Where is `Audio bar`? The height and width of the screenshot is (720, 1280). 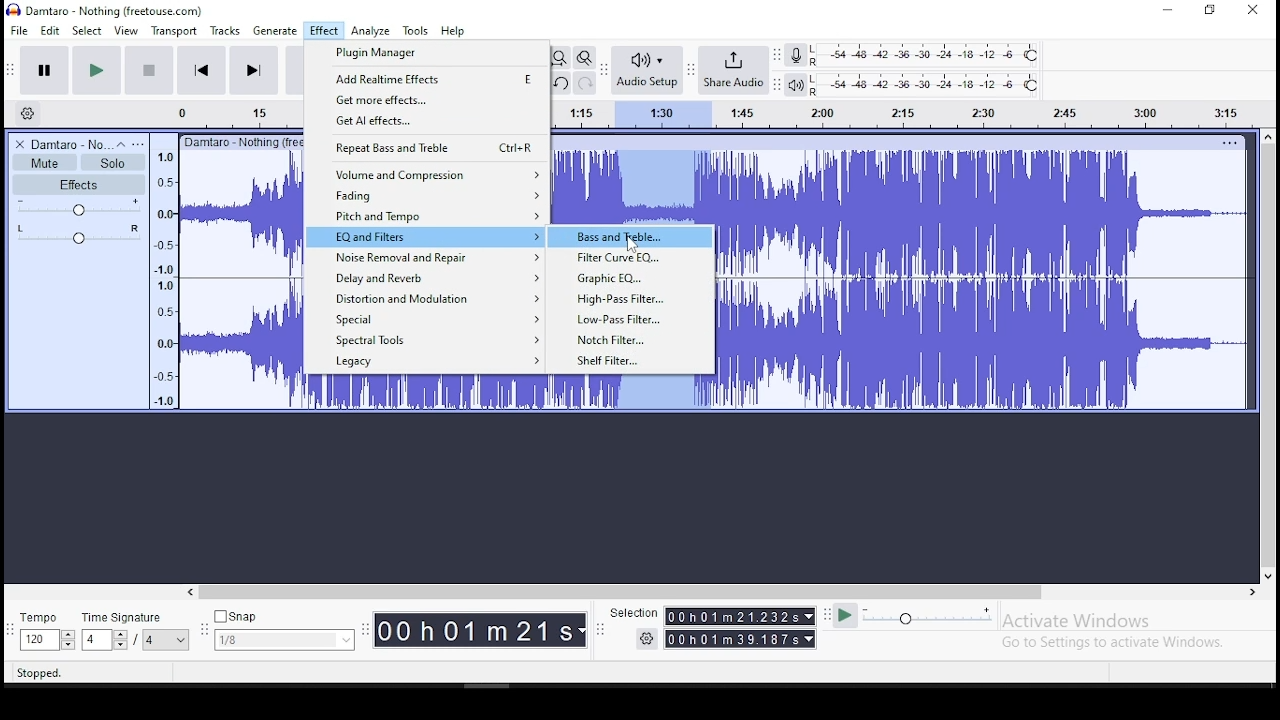
Audio bar is located at coordinates (911, 111).